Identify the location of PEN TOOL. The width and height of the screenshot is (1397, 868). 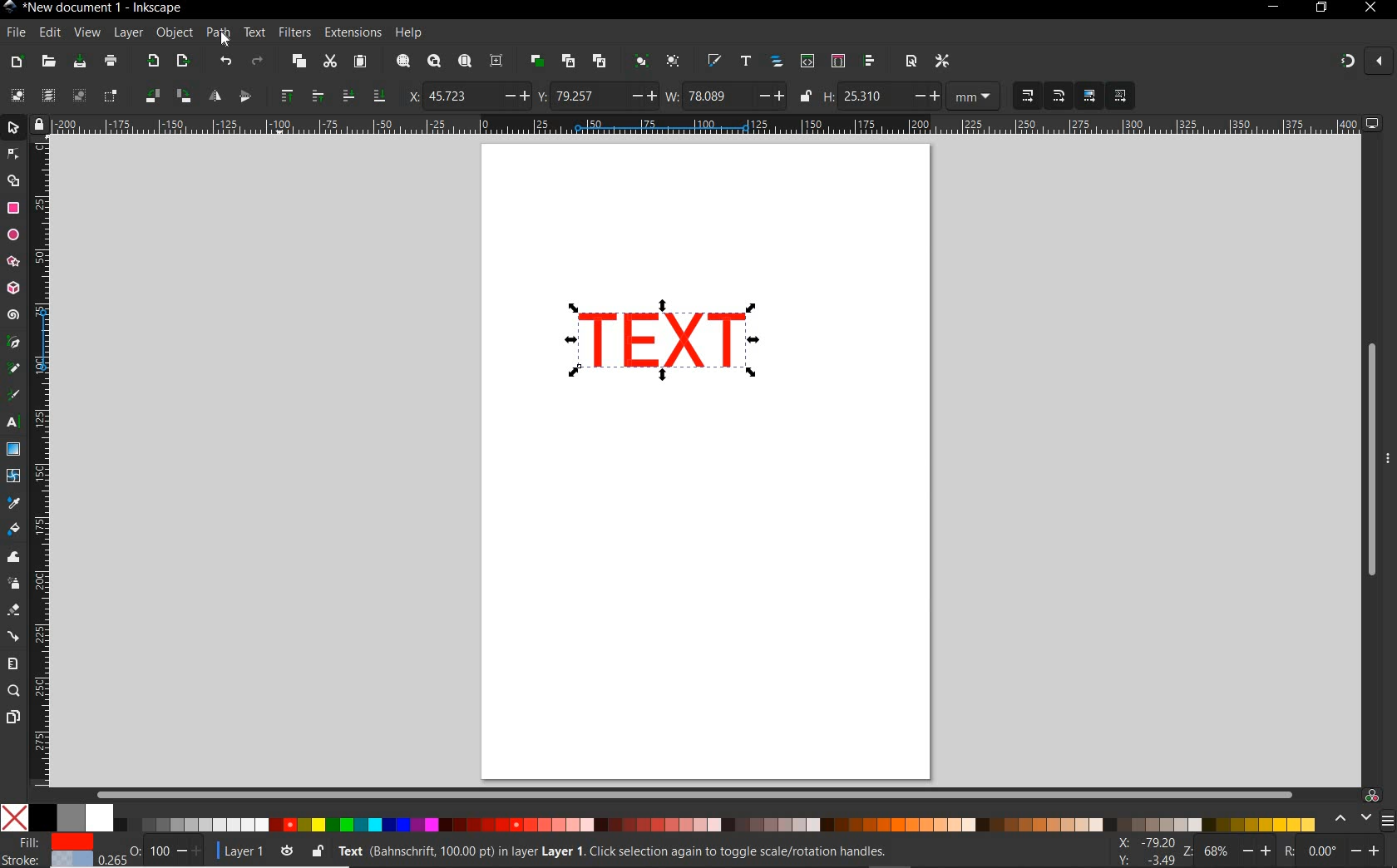
(14, 343).